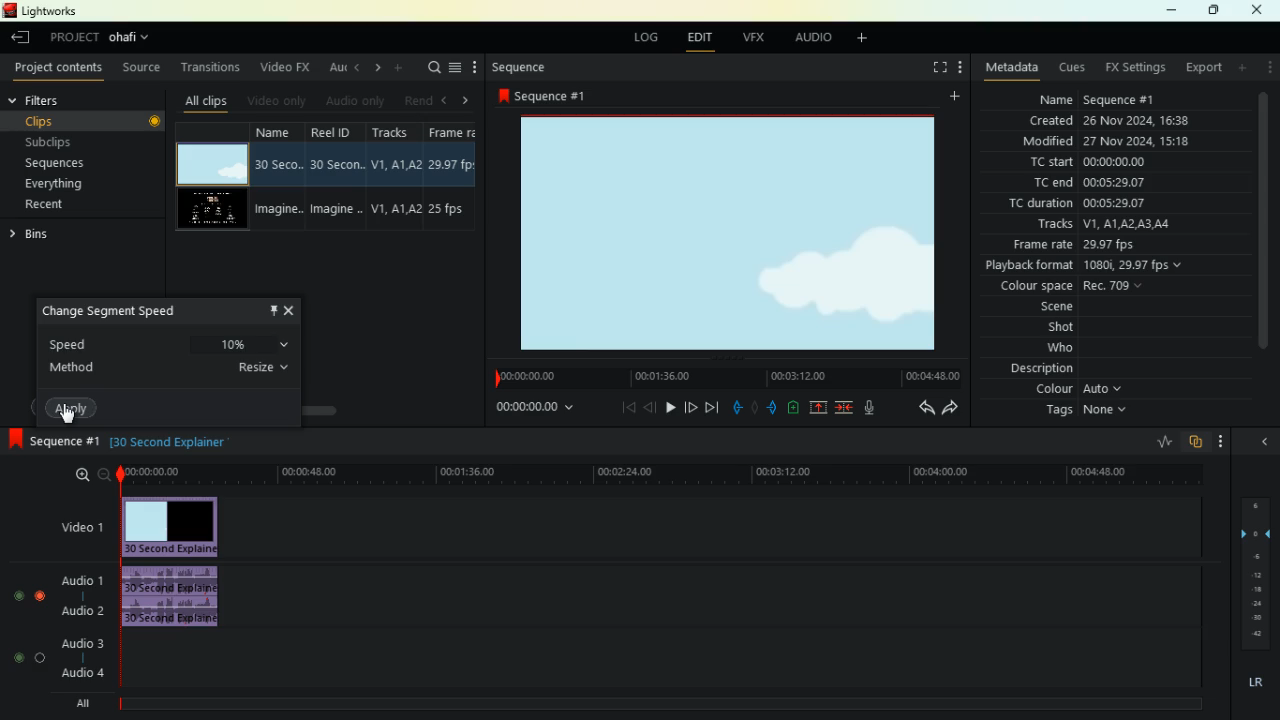 This screenshot has width=1280, height=720. What do you see at coordinates (282, 178) in the screenshot?
I see `name` at bounding box center [282, 178].